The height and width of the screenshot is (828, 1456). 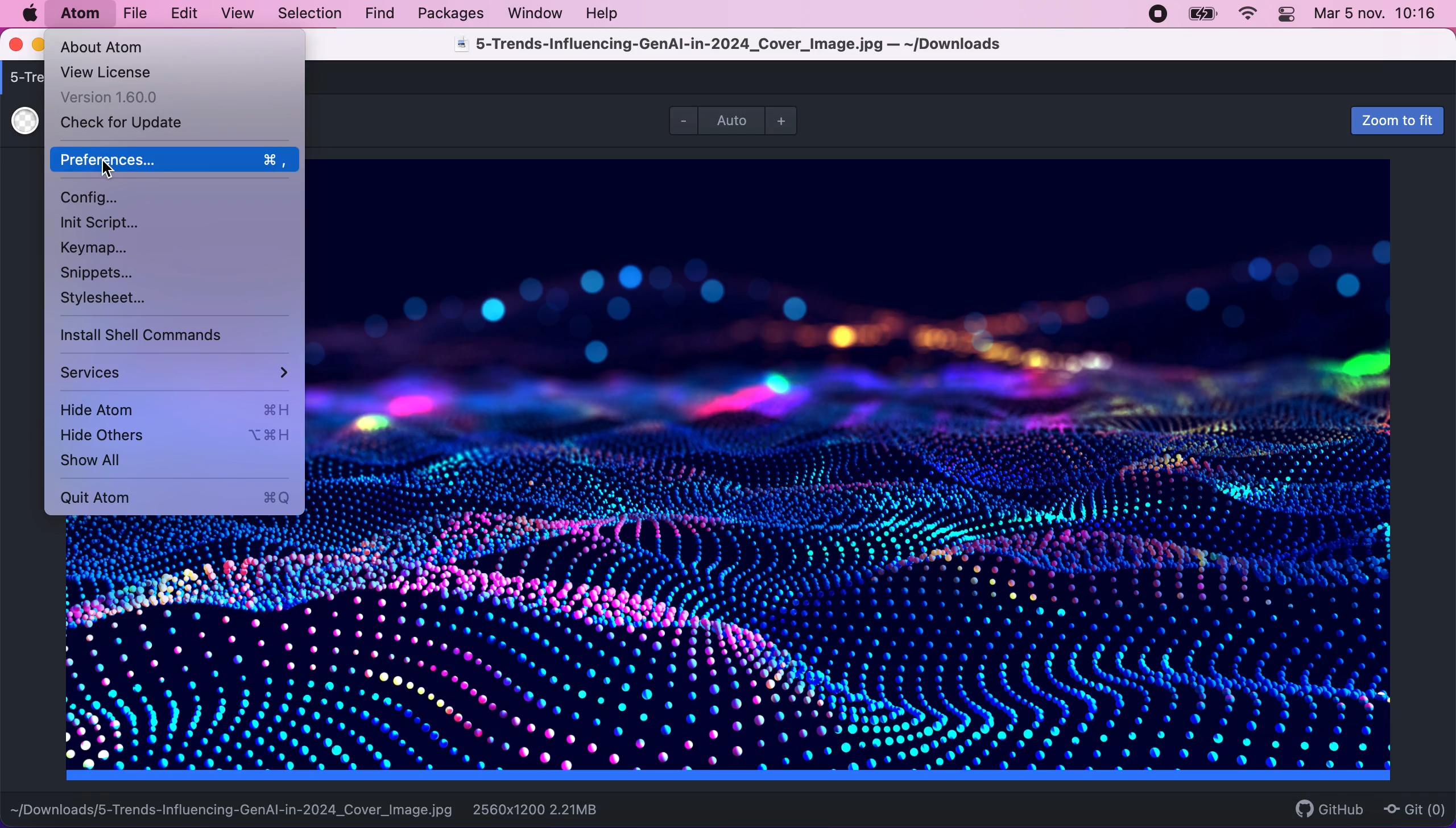 I want to click on install shell commands, so click(x=148, y=336).